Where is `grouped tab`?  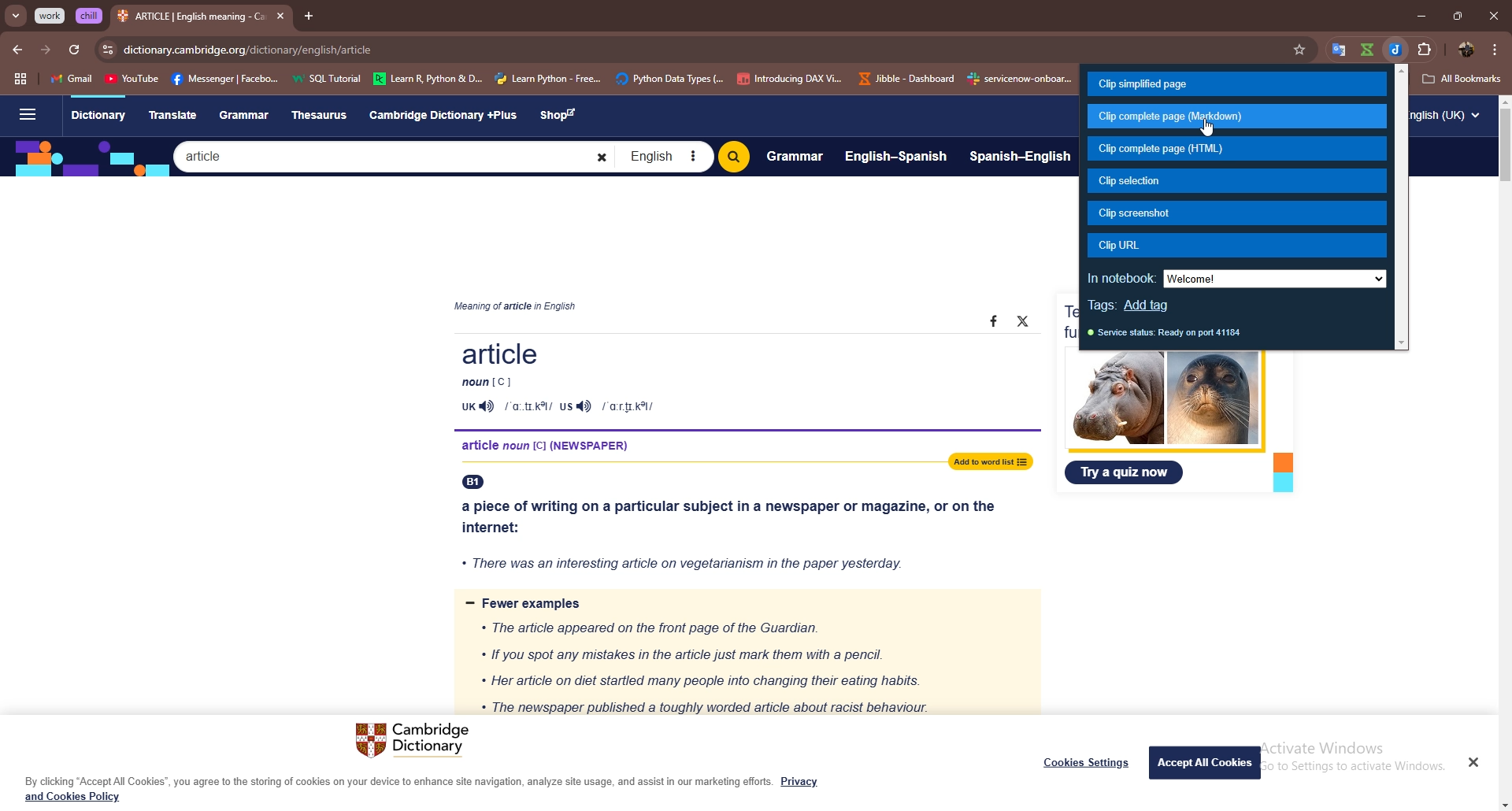 grouped tab is located at coordinates (90, 16).